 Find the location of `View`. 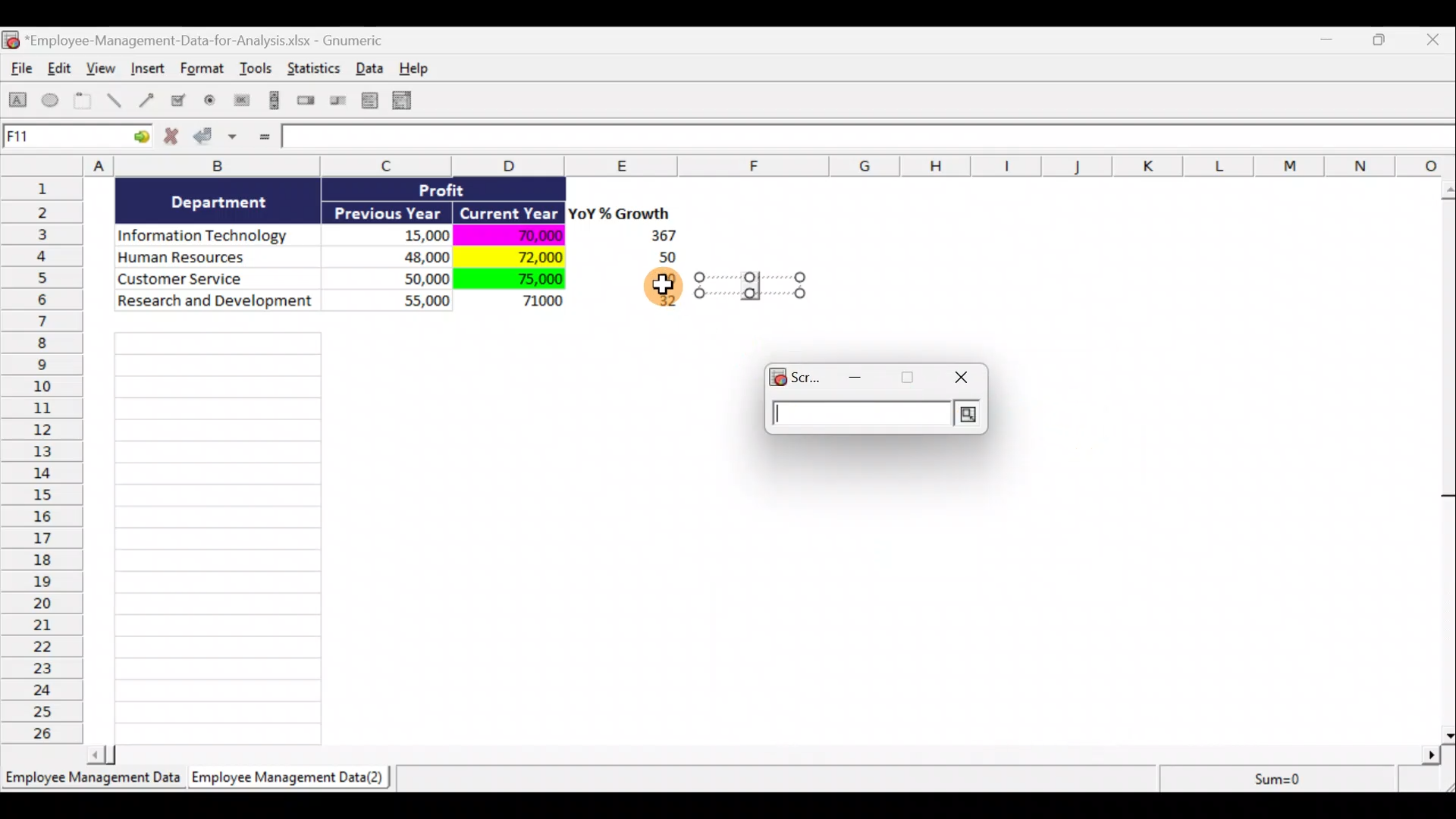

View is located at coordinates (103, 68).